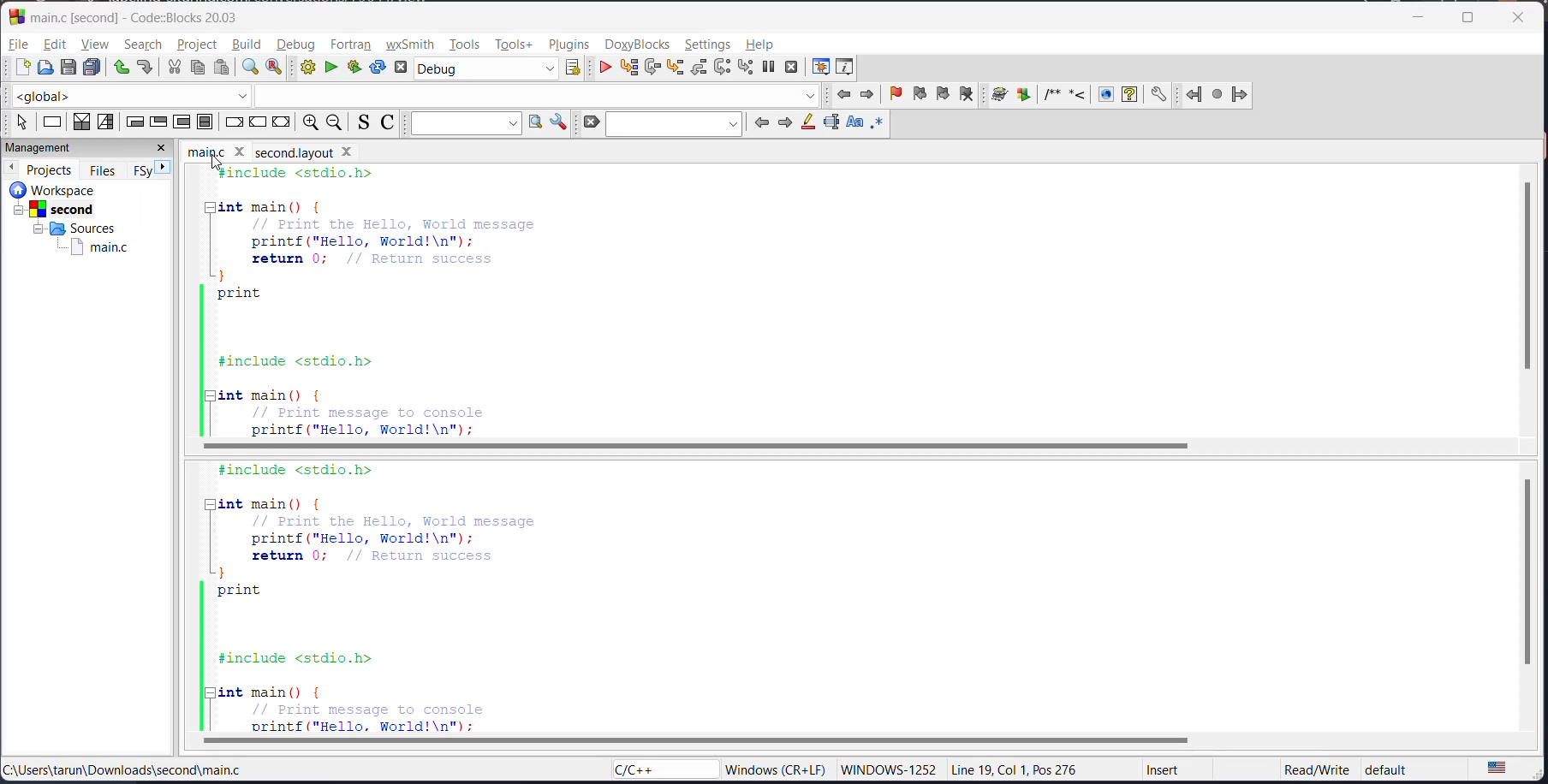  What do you see at coordinates (90, 68) in the screenshot?
I see `save everything` at bounding box center [90, 68].